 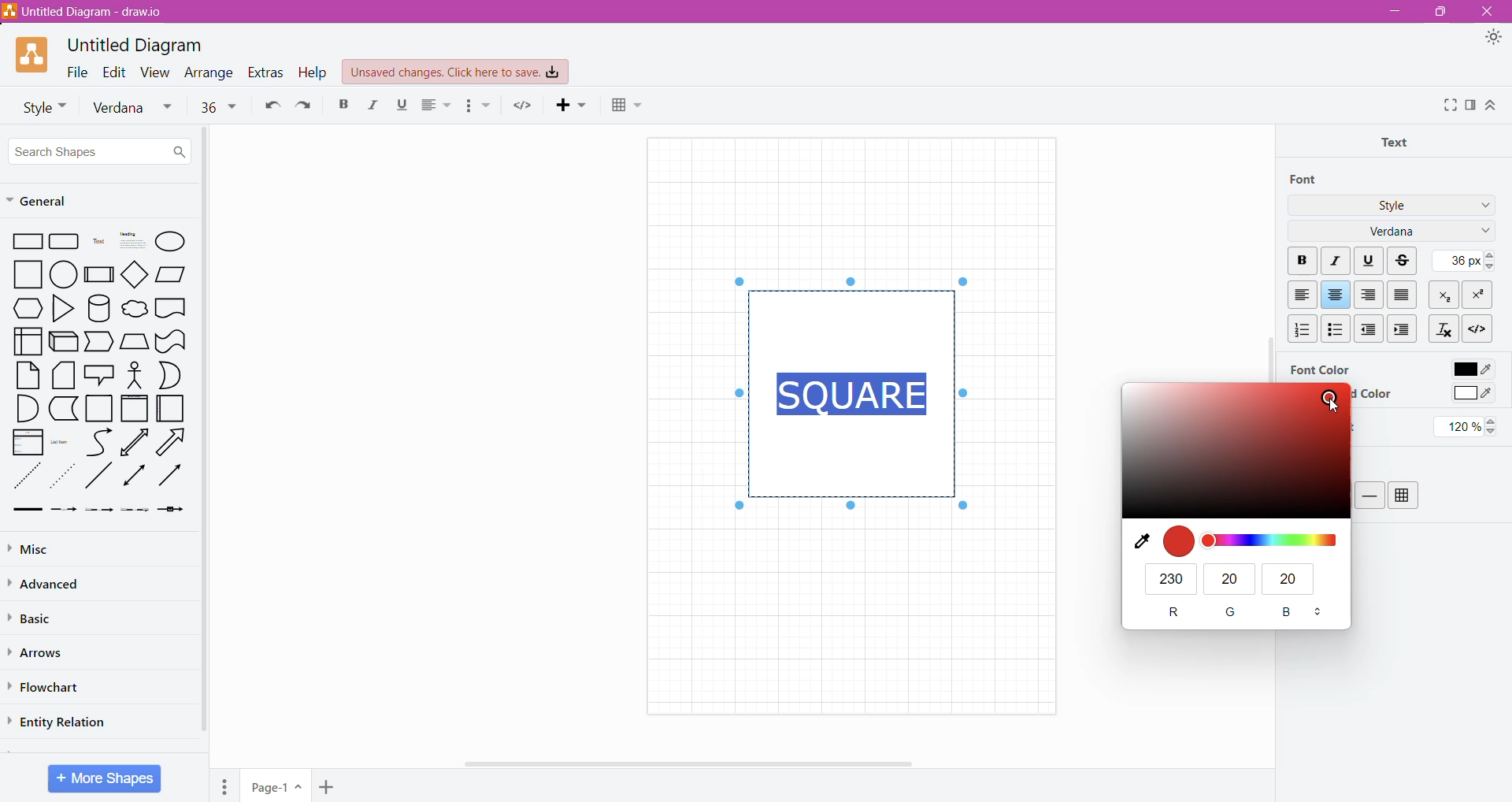 I want to click on Vertical Scroll Bar, so click(x=1263, y=322).